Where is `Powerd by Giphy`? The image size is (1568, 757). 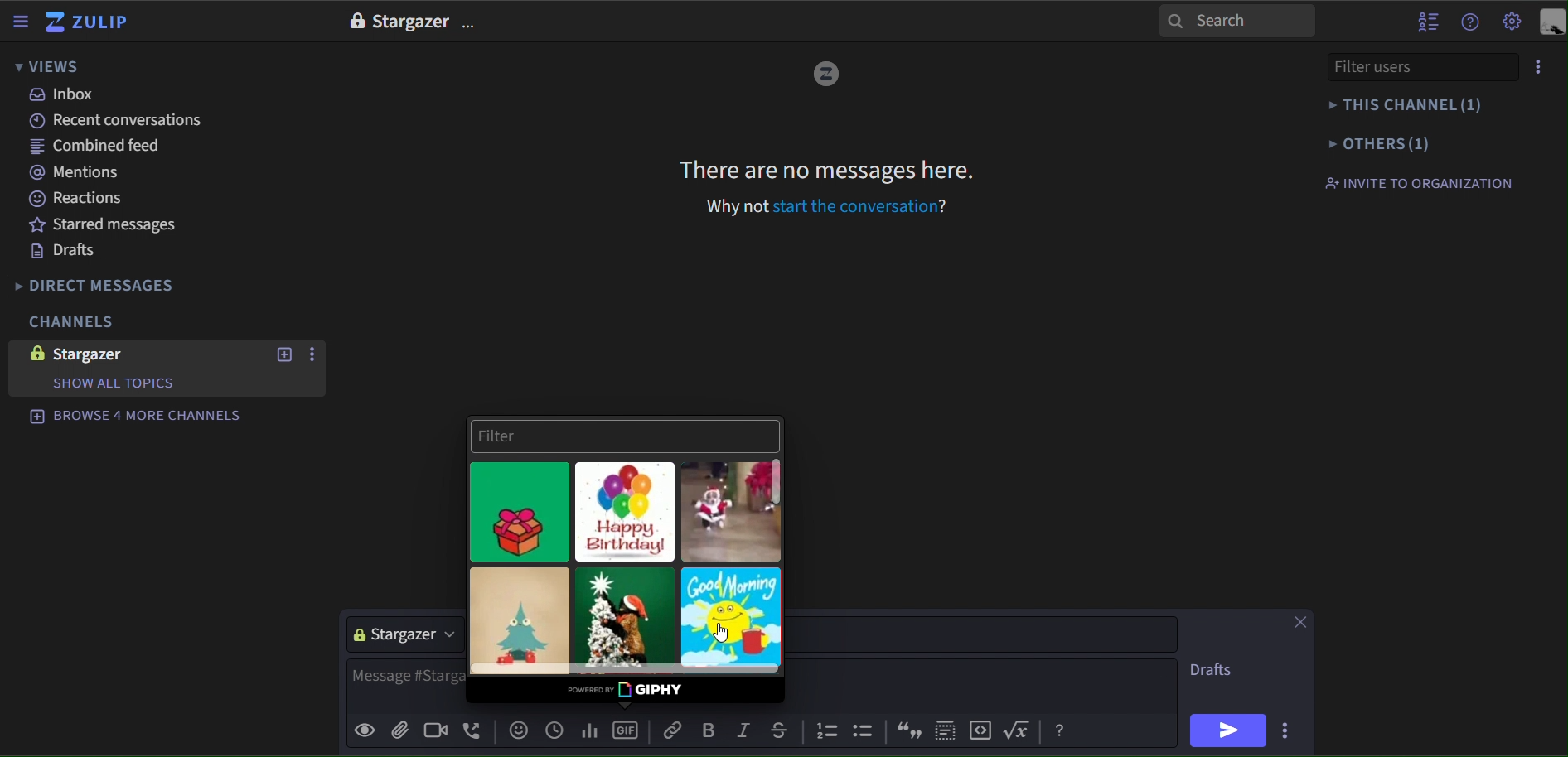
Powerd by Giphy is located at coordinates (626, 688).